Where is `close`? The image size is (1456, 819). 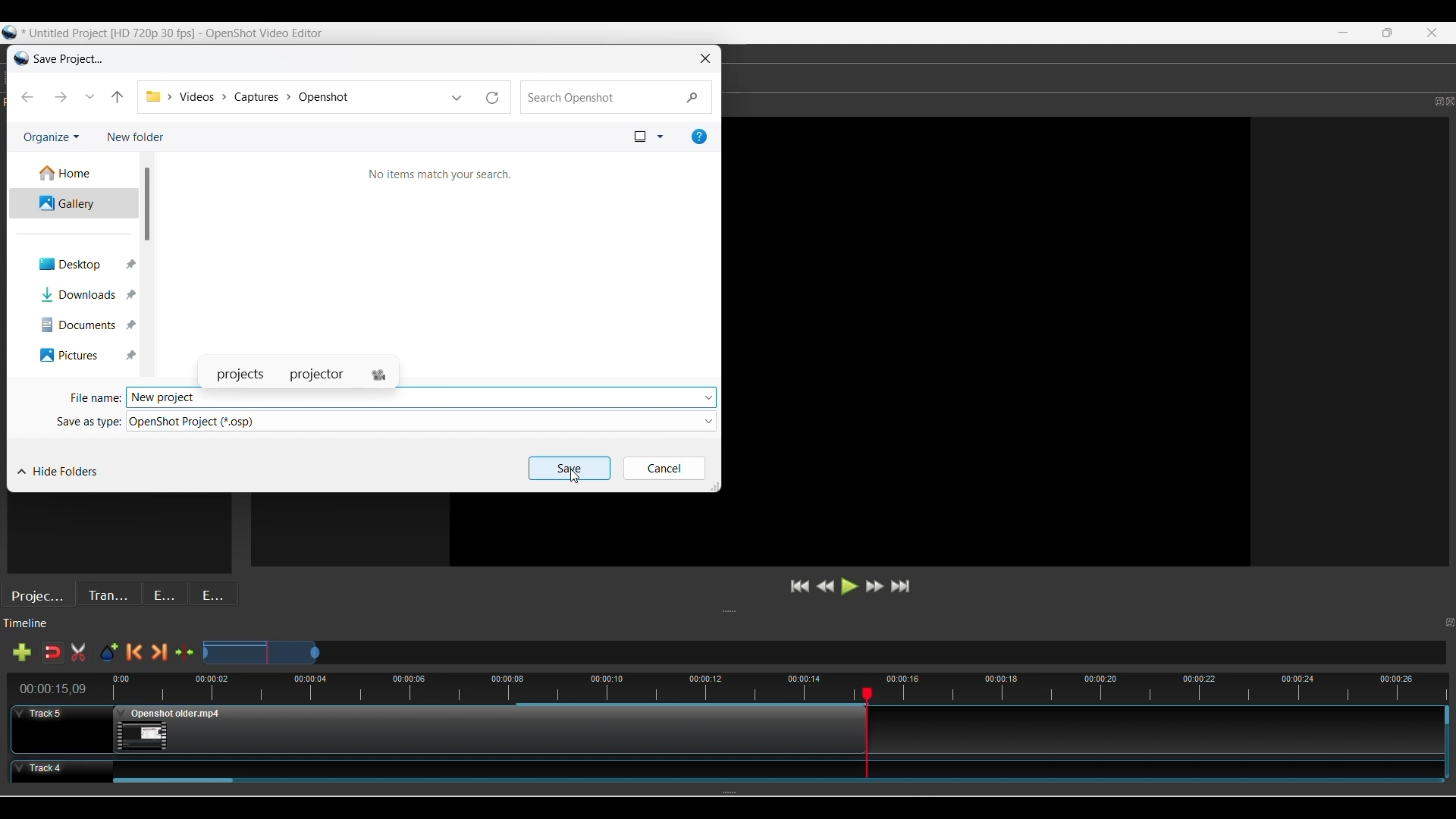
close is located at coordinates (1447, 102).